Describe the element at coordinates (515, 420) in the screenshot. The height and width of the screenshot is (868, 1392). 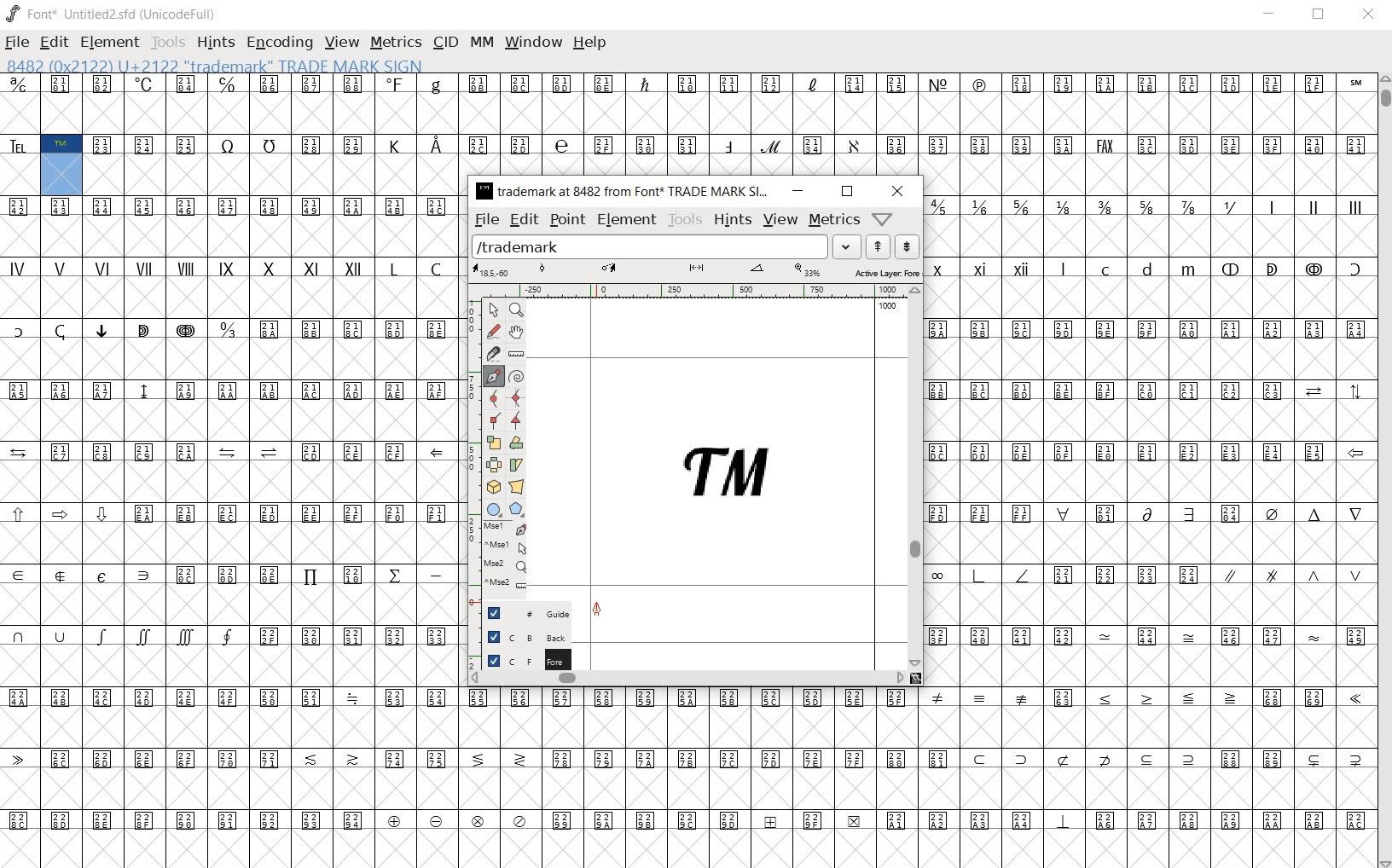
I see `Add a corner point` at that location.